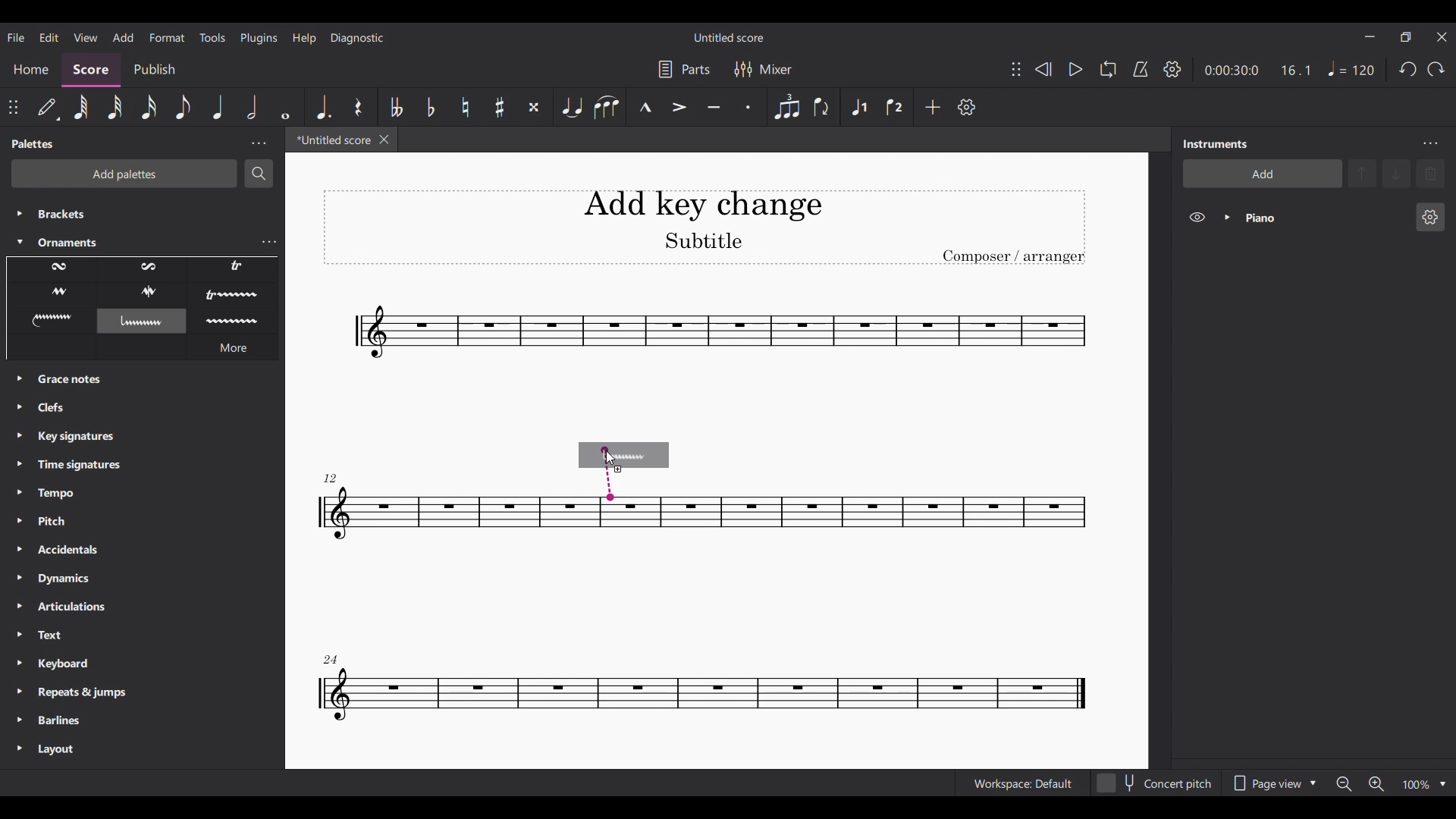 This screenshot has height=819, width=1456. What do you see at coordinates (142, 296) in the screenshot?
I see `Ornament options` at bounding box center [142, 296].